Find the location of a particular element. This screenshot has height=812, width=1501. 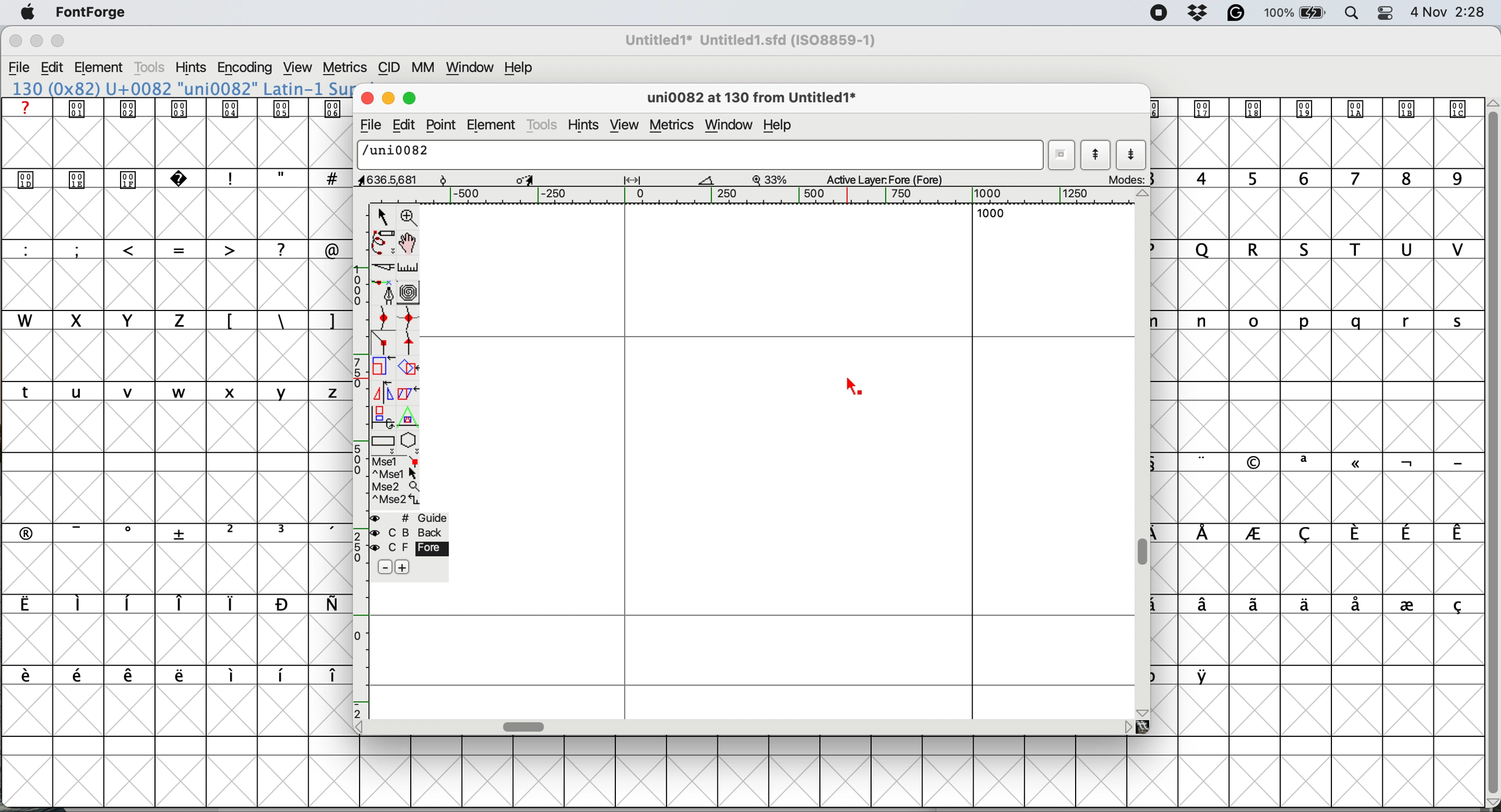

metrics is located at coordinates (344, 68).